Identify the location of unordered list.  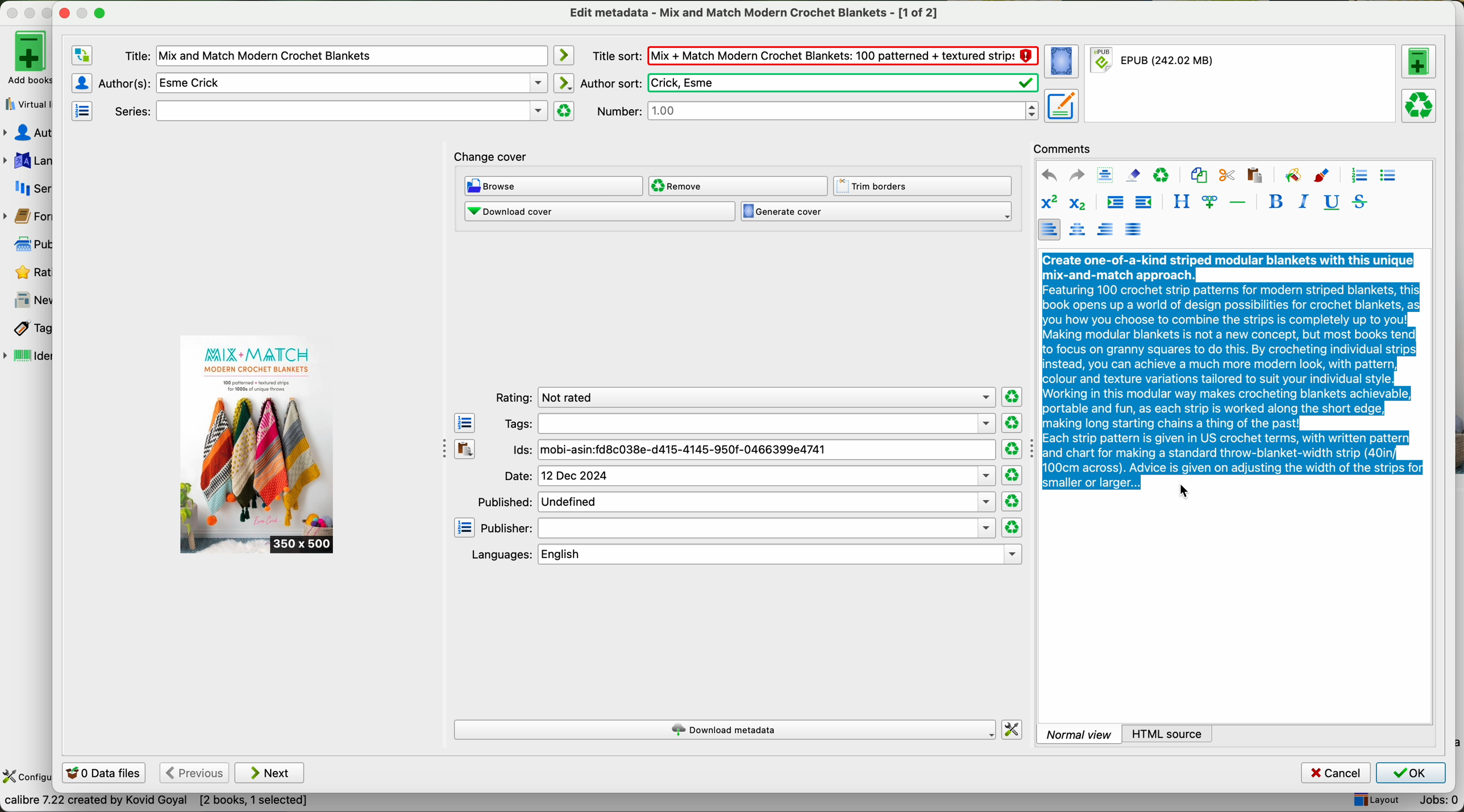
(1387, 176).